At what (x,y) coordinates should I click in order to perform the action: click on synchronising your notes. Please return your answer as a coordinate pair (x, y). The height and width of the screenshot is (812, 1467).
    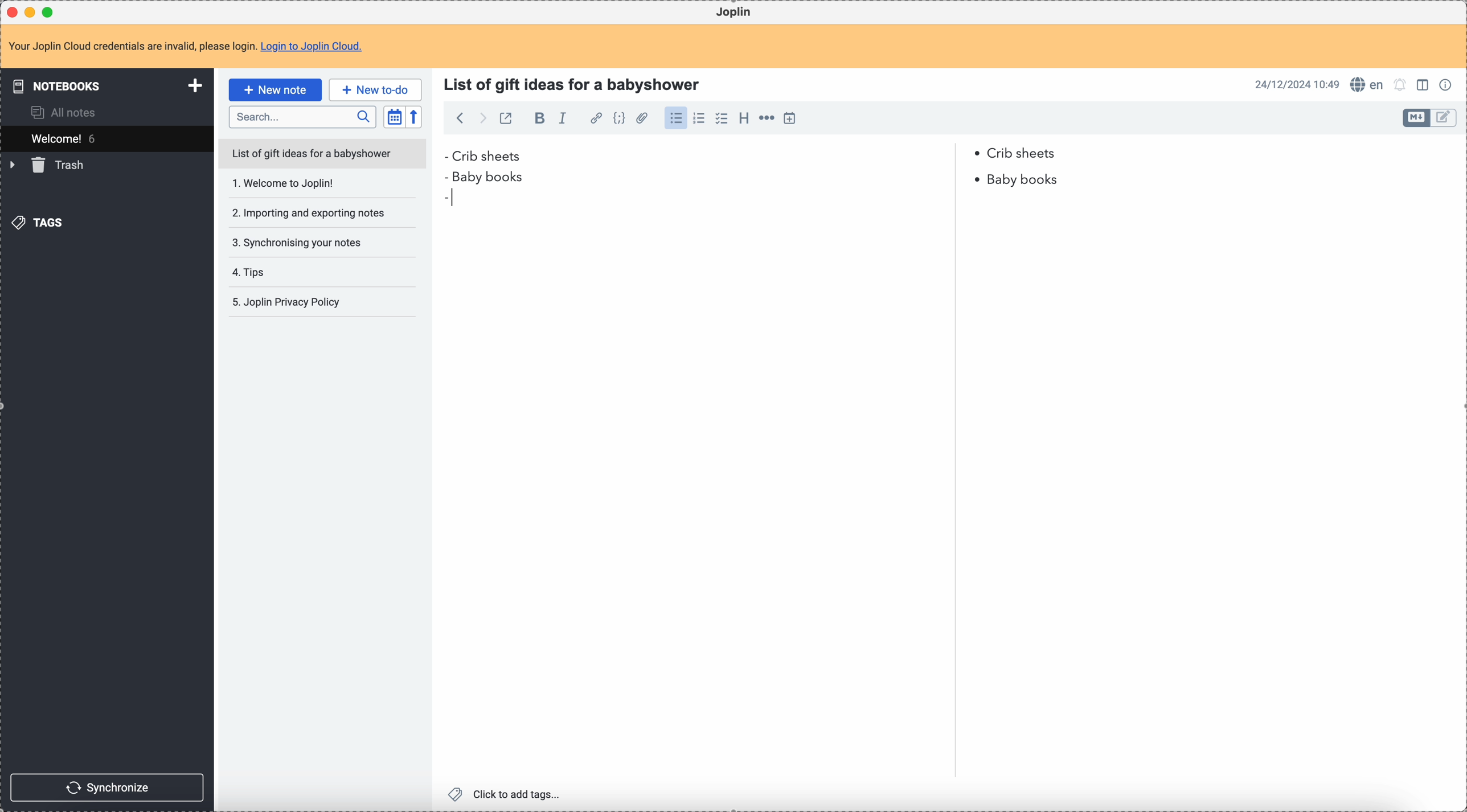
    Looking at the image, I should click on (306, 243).